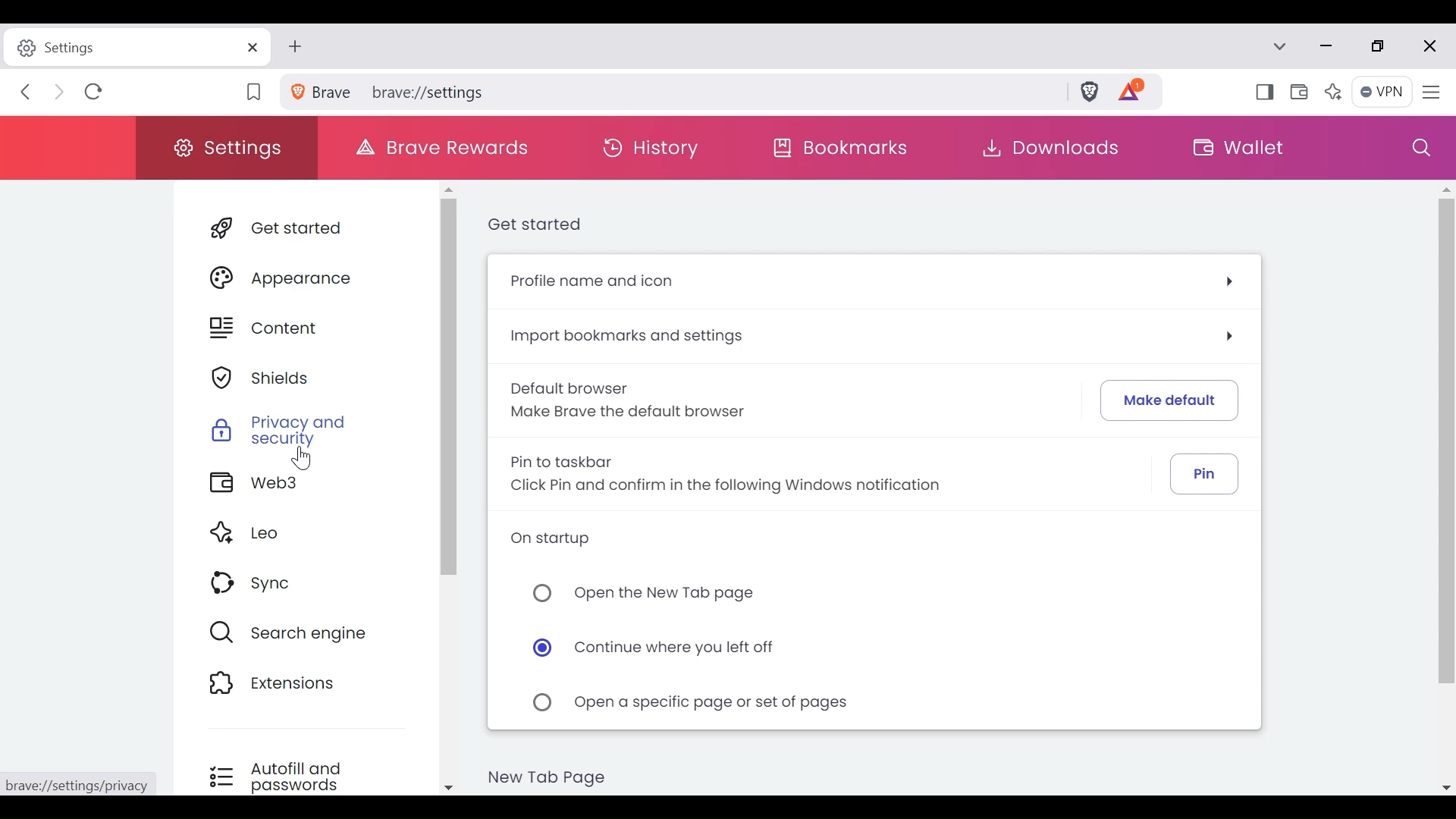  I want to click on close, so click(1429, 48).